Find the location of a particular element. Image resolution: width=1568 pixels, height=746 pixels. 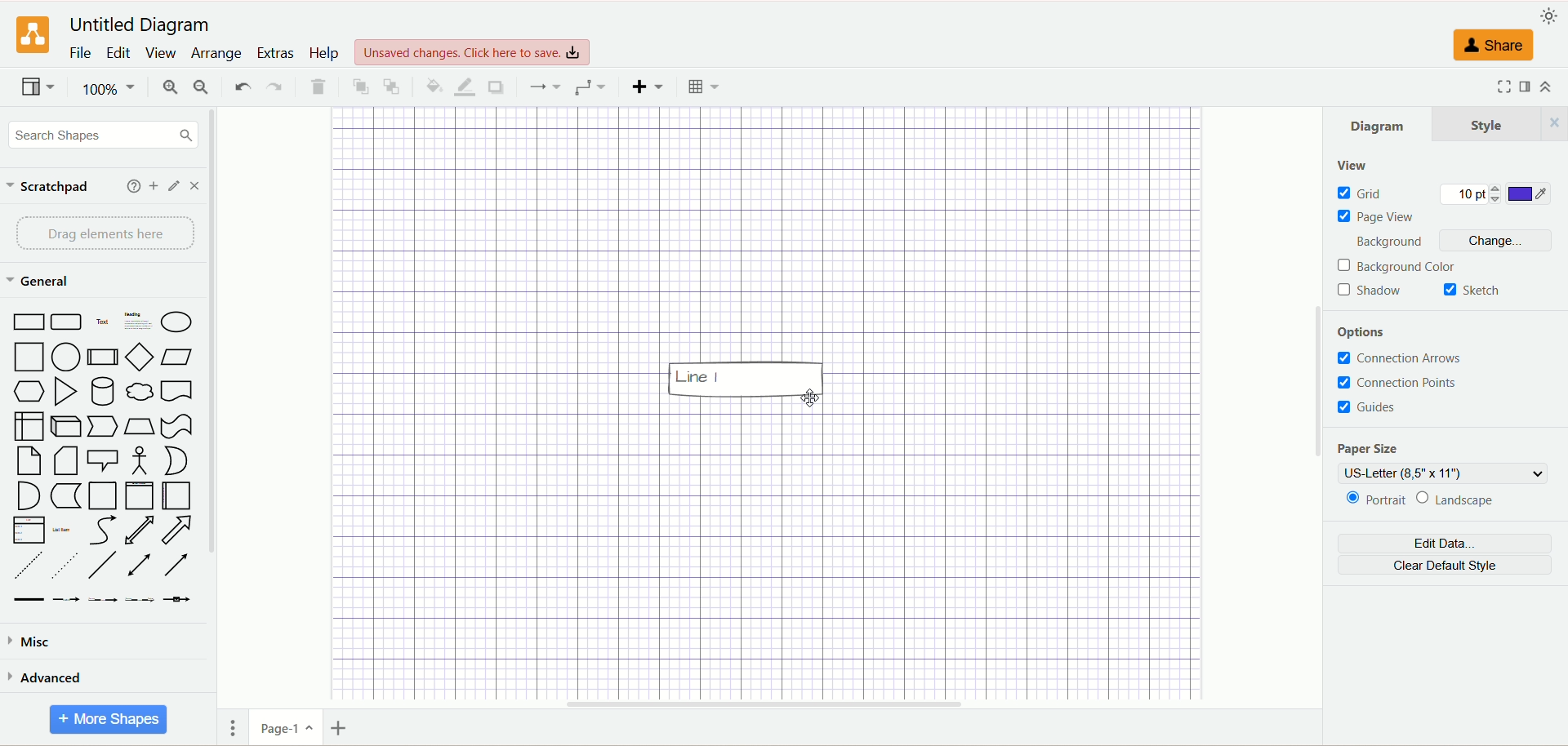

insert is located at coordinates (644, 87).